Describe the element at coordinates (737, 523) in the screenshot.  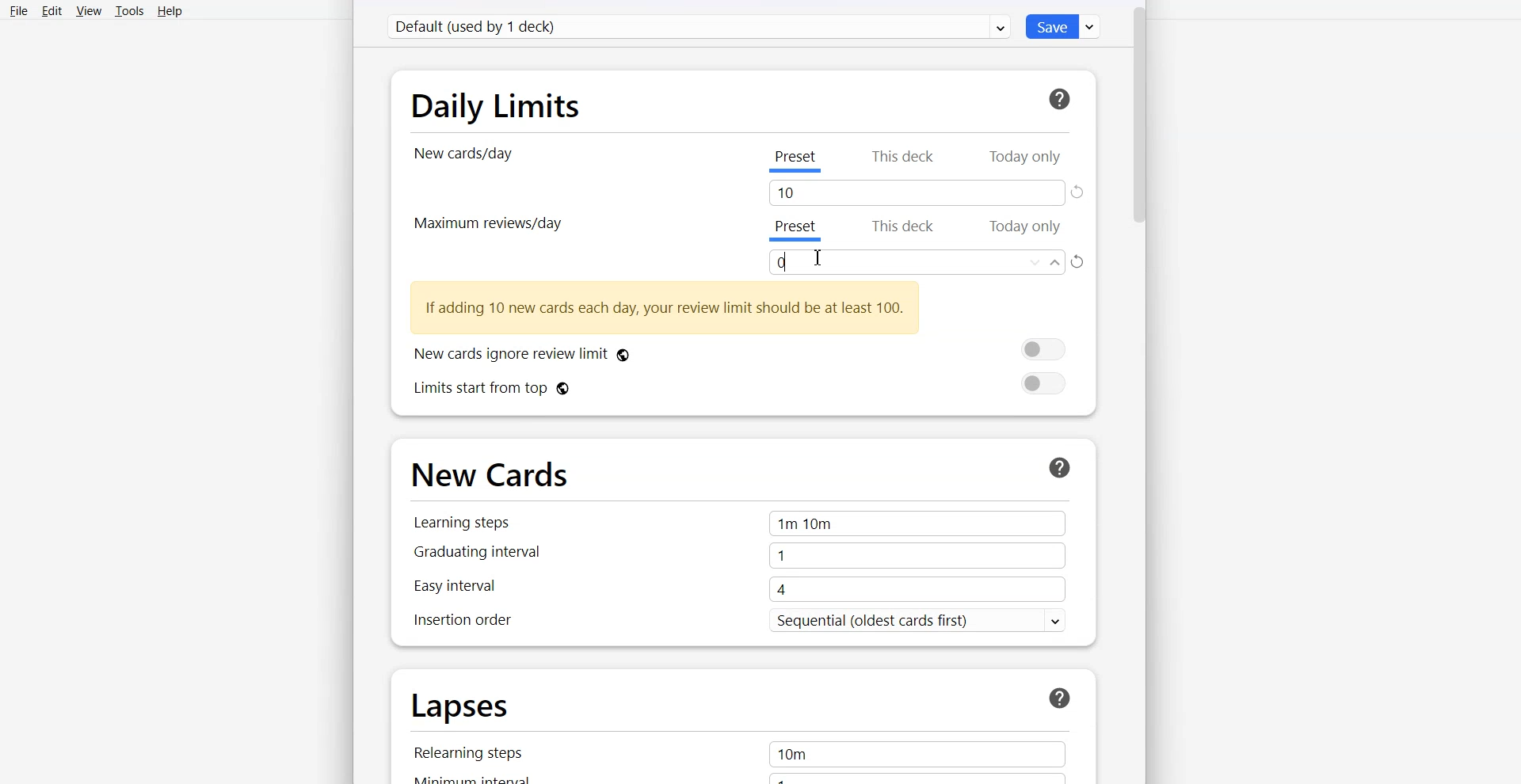
I see `Learning steps` at that location.